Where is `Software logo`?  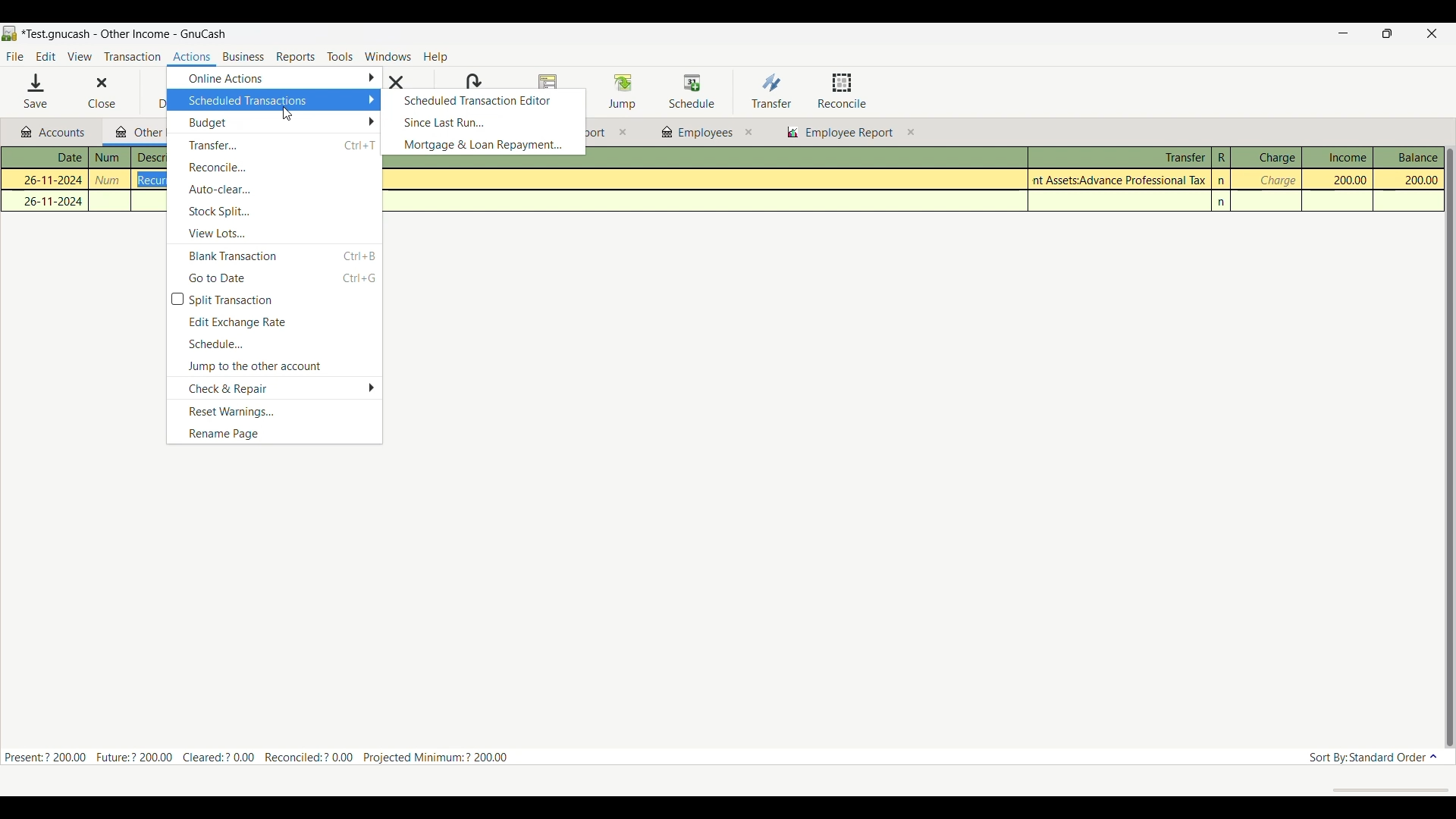 Software logo is located at coordinates (10, 33).